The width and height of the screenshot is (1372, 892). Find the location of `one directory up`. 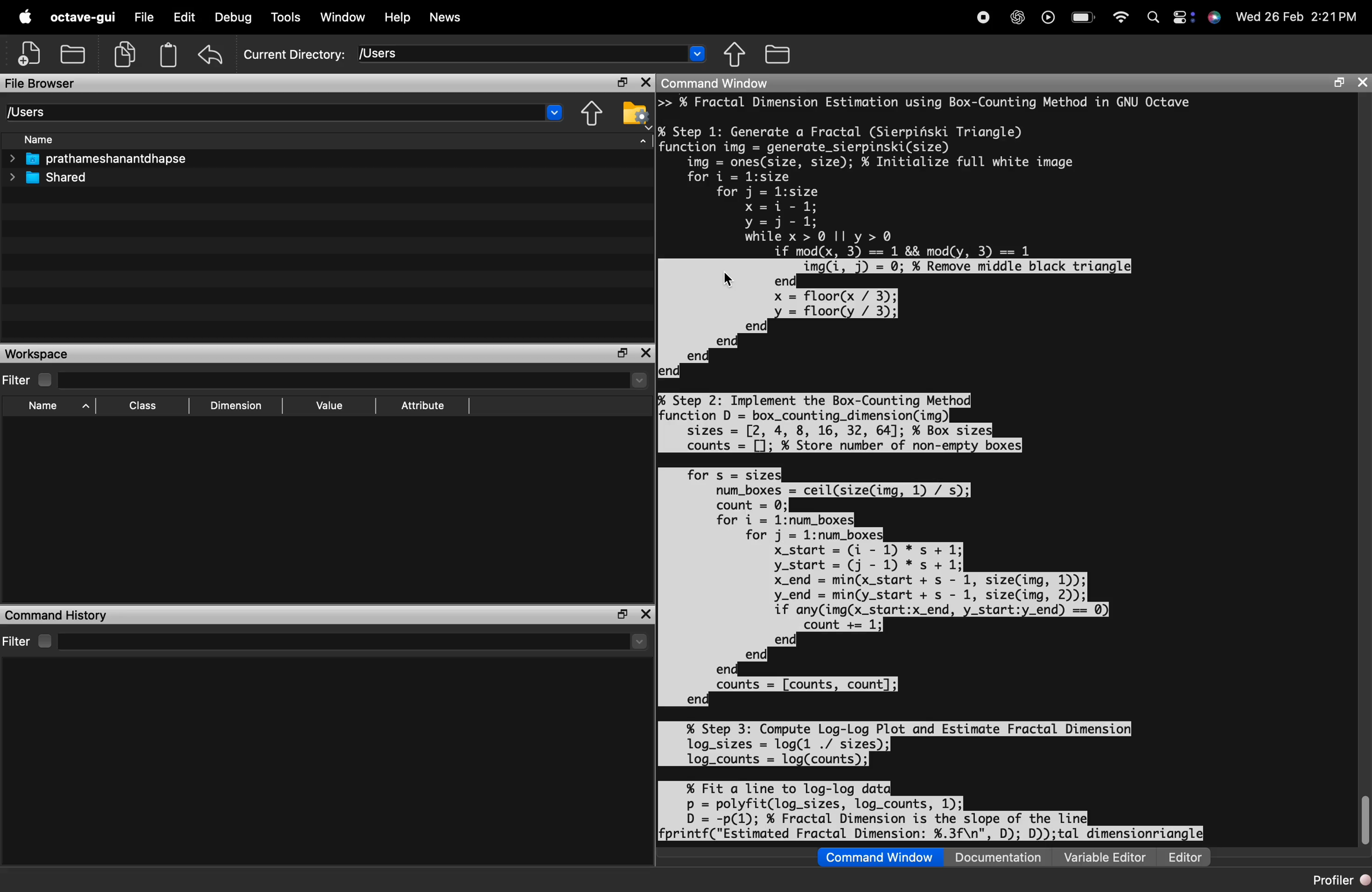

one directory up is located at coordinates (591, 115).